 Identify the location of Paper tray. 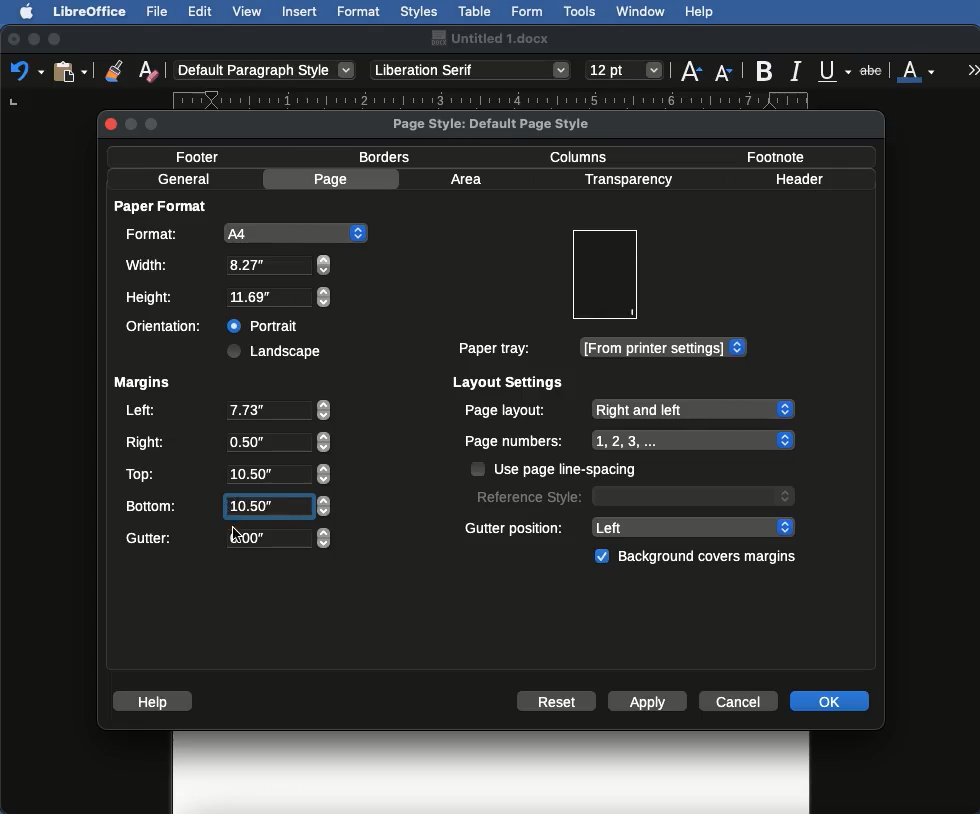
(601, 348).